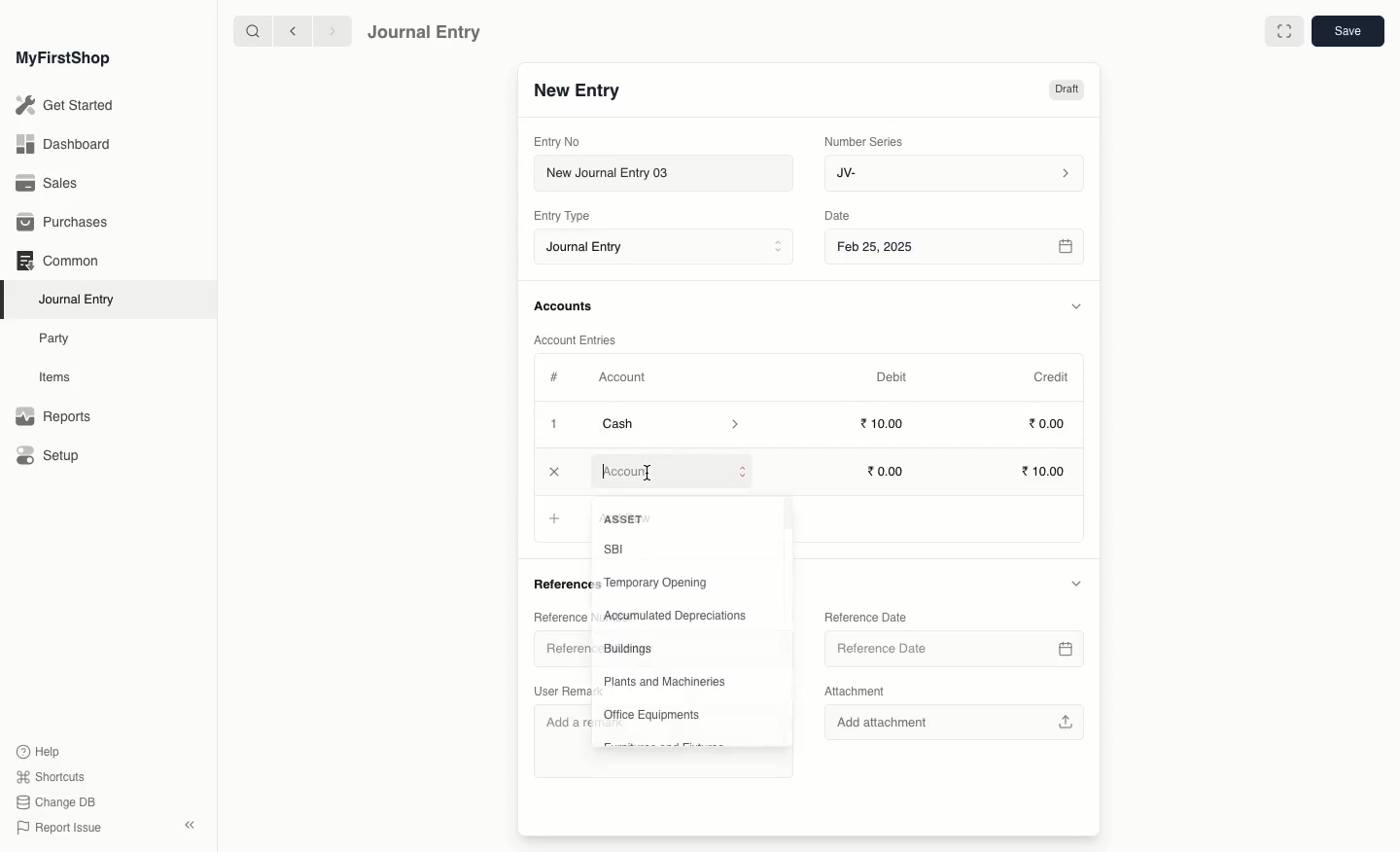 This screenshot has width=1400, height=852. I want to click on Dashboard, so click(62, 143).